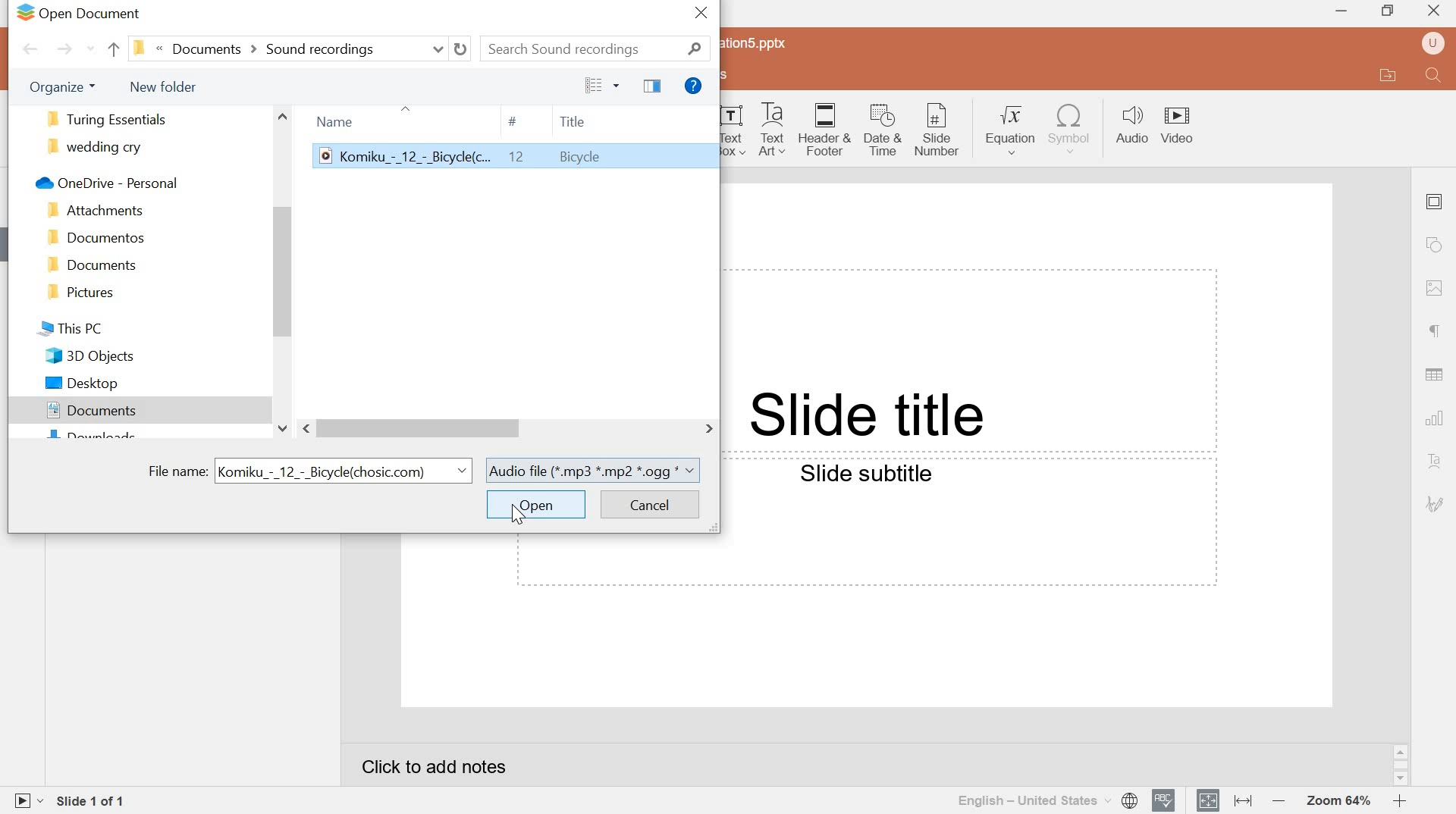 The height and width of the screenshot is (814, 1456). Describe the element at coordinates (176, 471) in the screenshot. I see `file name` at that location.